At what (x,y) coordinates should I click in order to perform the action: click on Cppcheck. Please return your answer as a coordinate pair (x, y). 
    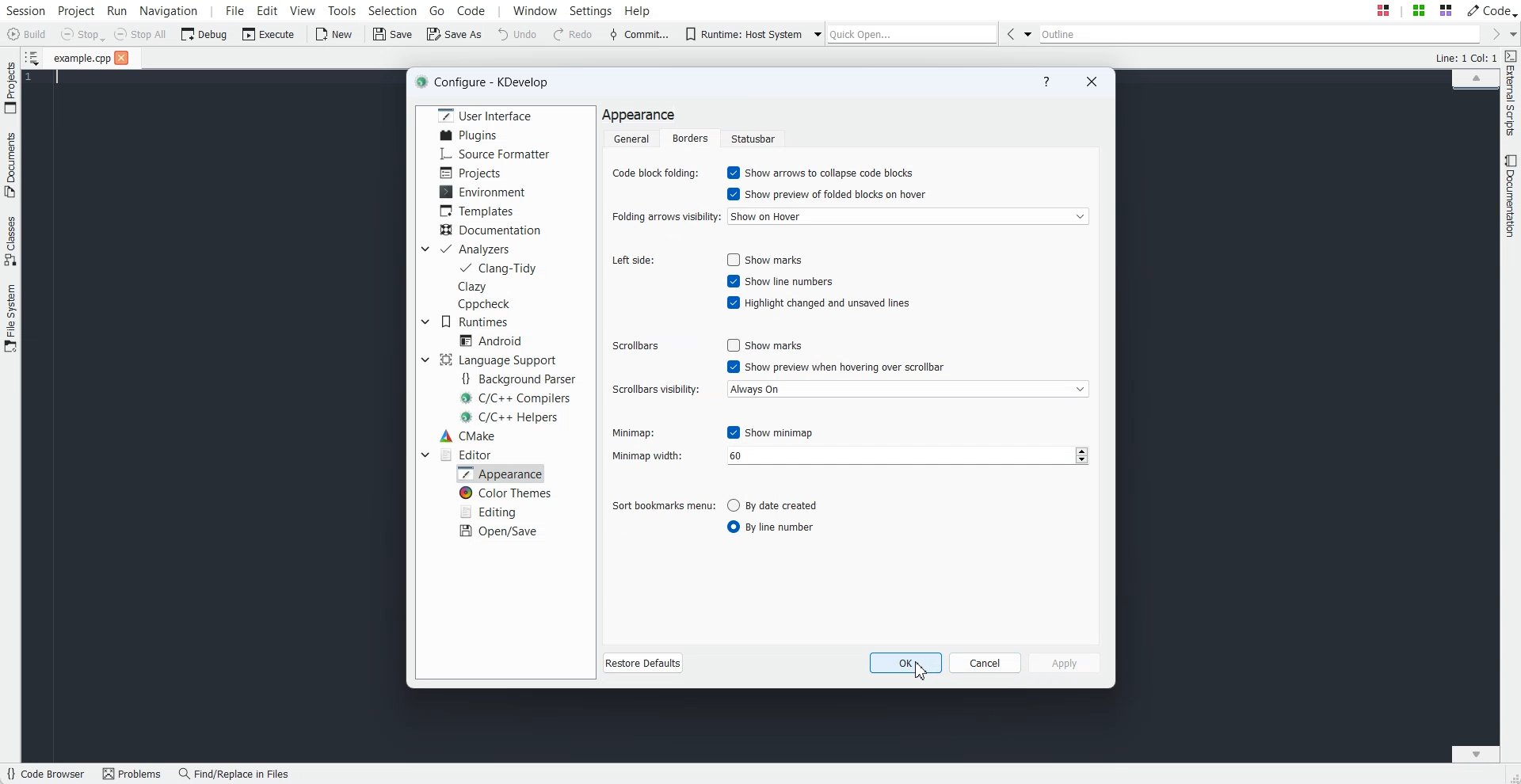
    Looking at the image, I should click on (483, 304).